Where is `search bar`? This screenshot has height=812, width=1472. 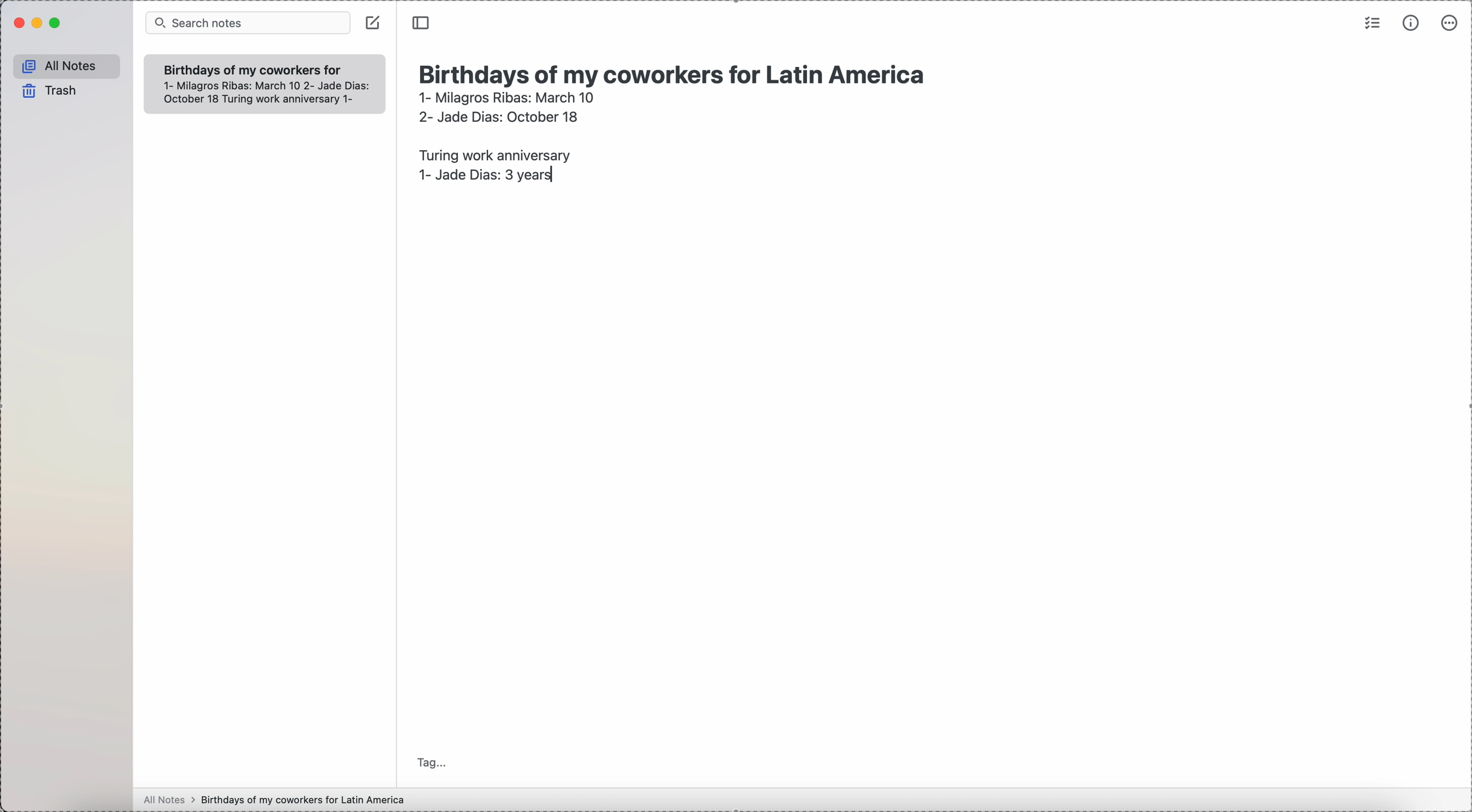
search bar is located at coordinates (247, 23).